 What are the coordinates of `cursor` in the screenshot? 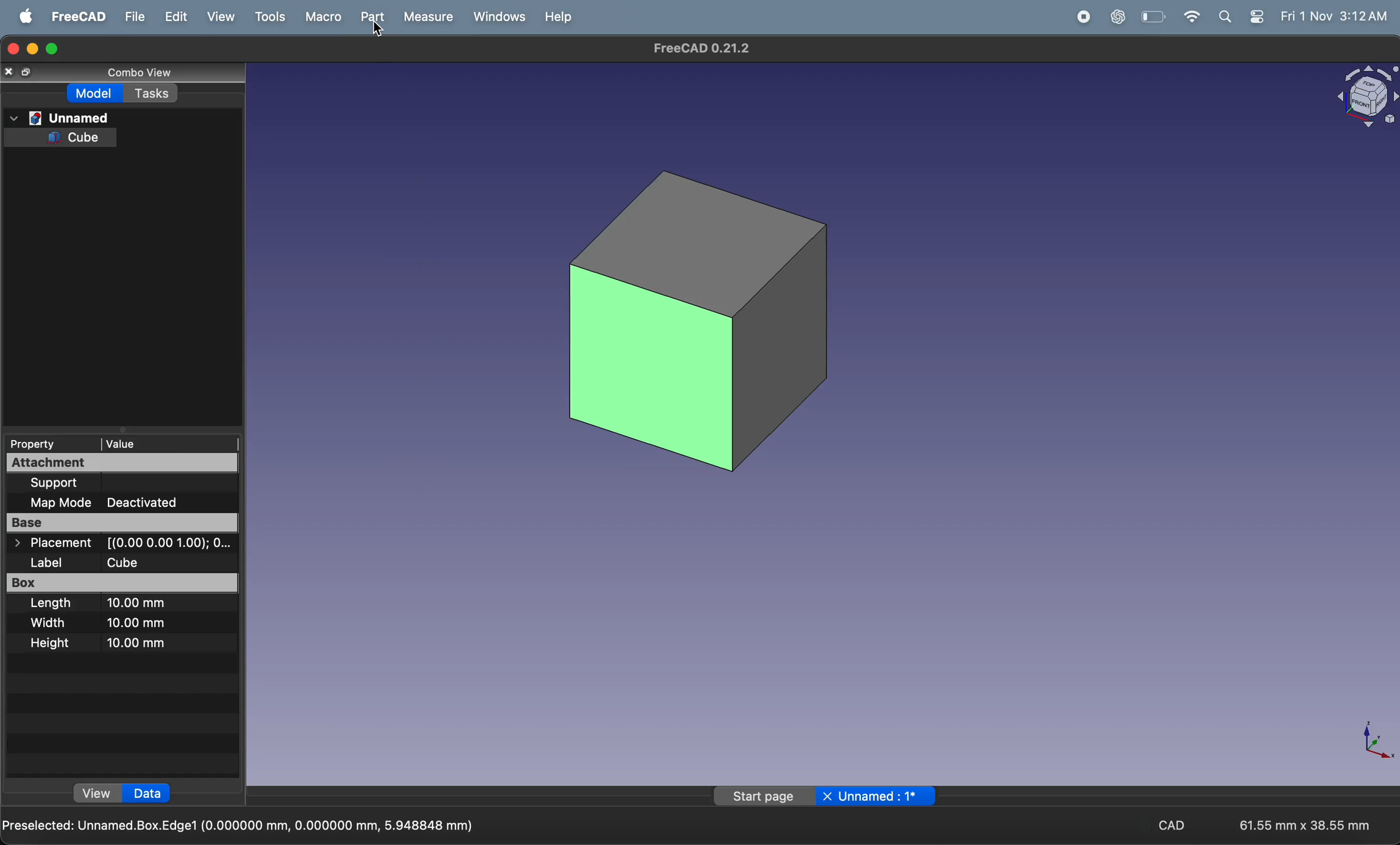 It's located at (376, 28).